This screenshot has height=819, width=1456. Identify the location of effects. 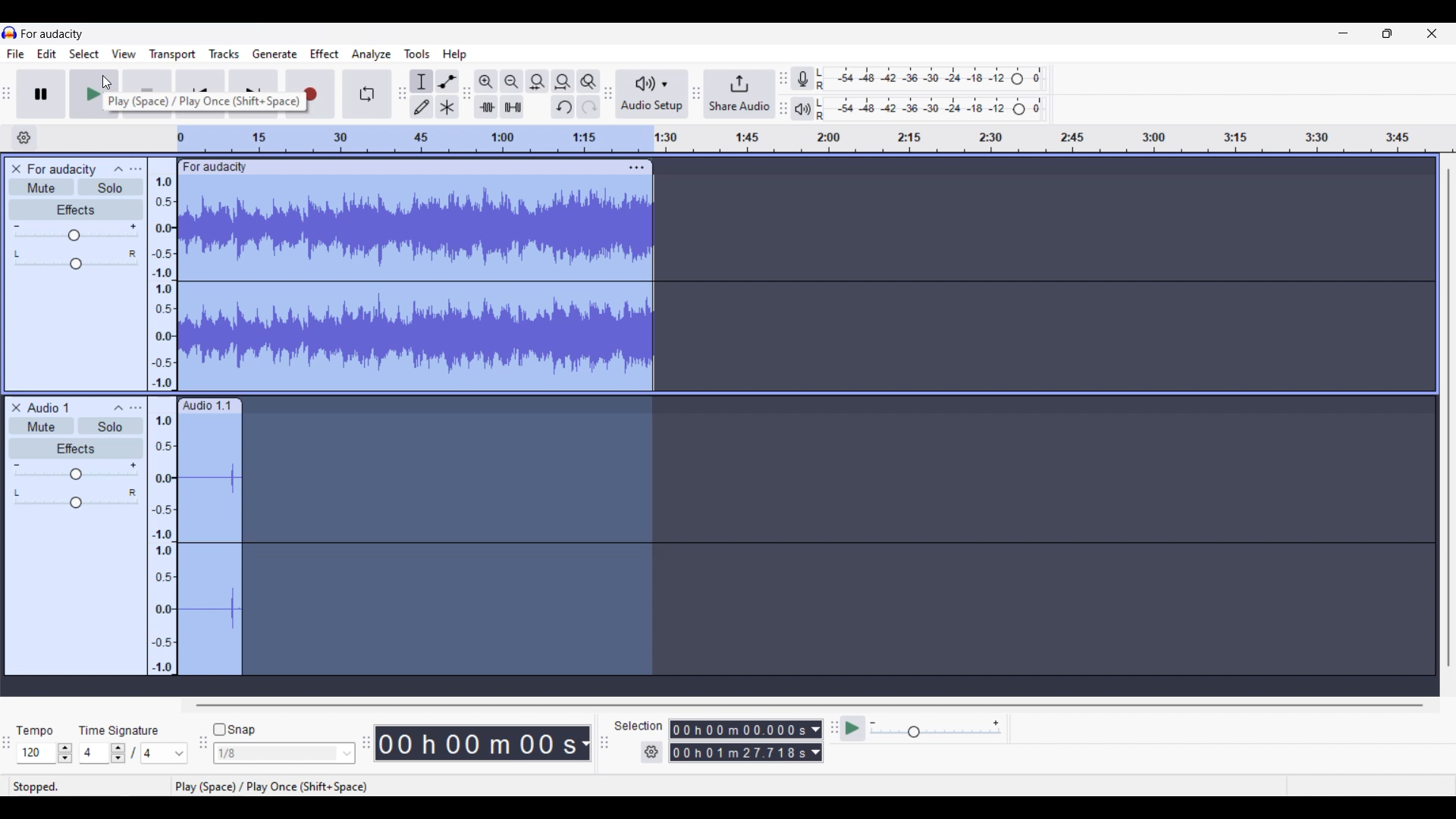
(76, 449).